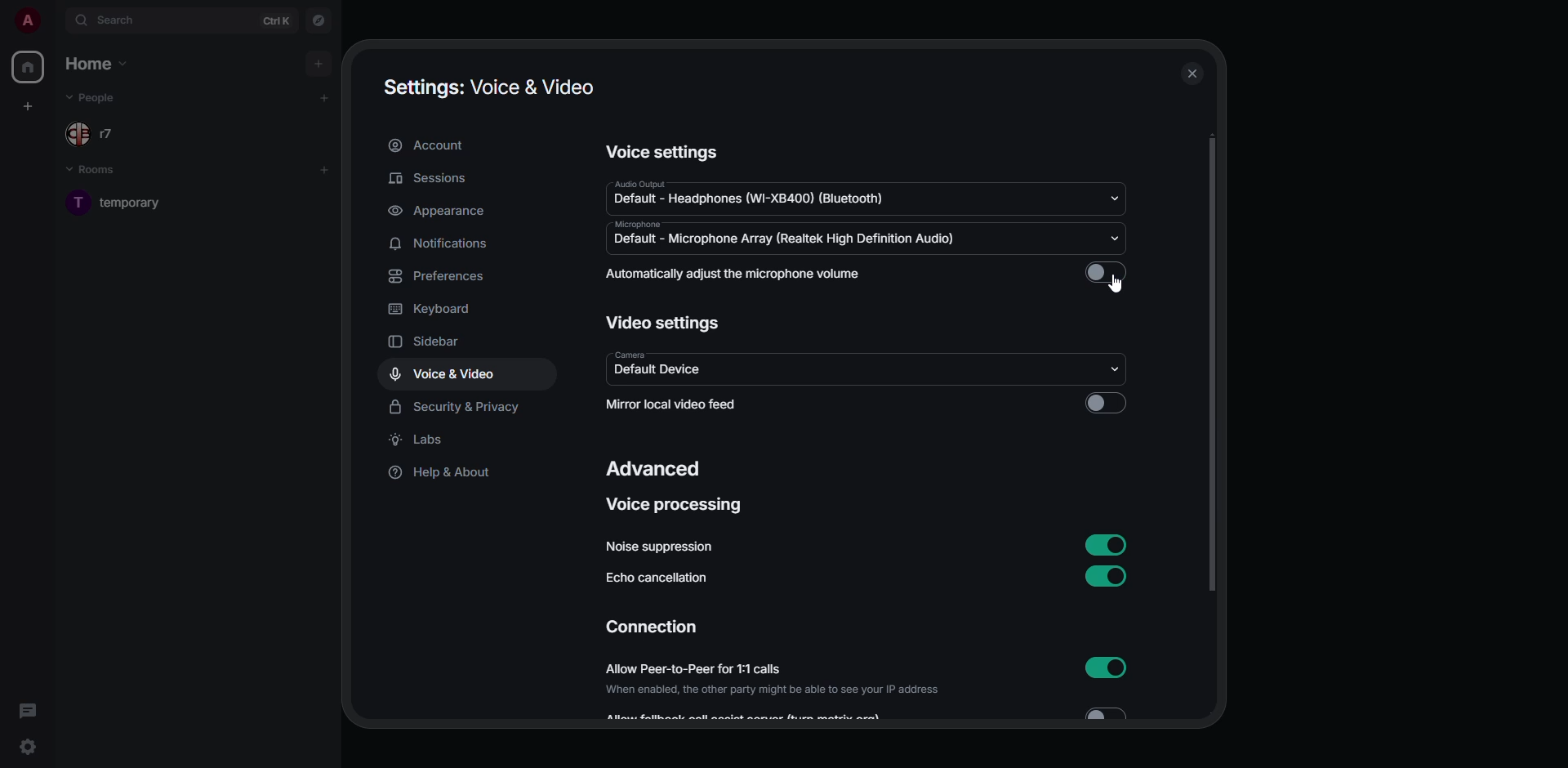 The height and width of the screenshot is (768, 1568). I want to click on appearance, so click(443, 211).